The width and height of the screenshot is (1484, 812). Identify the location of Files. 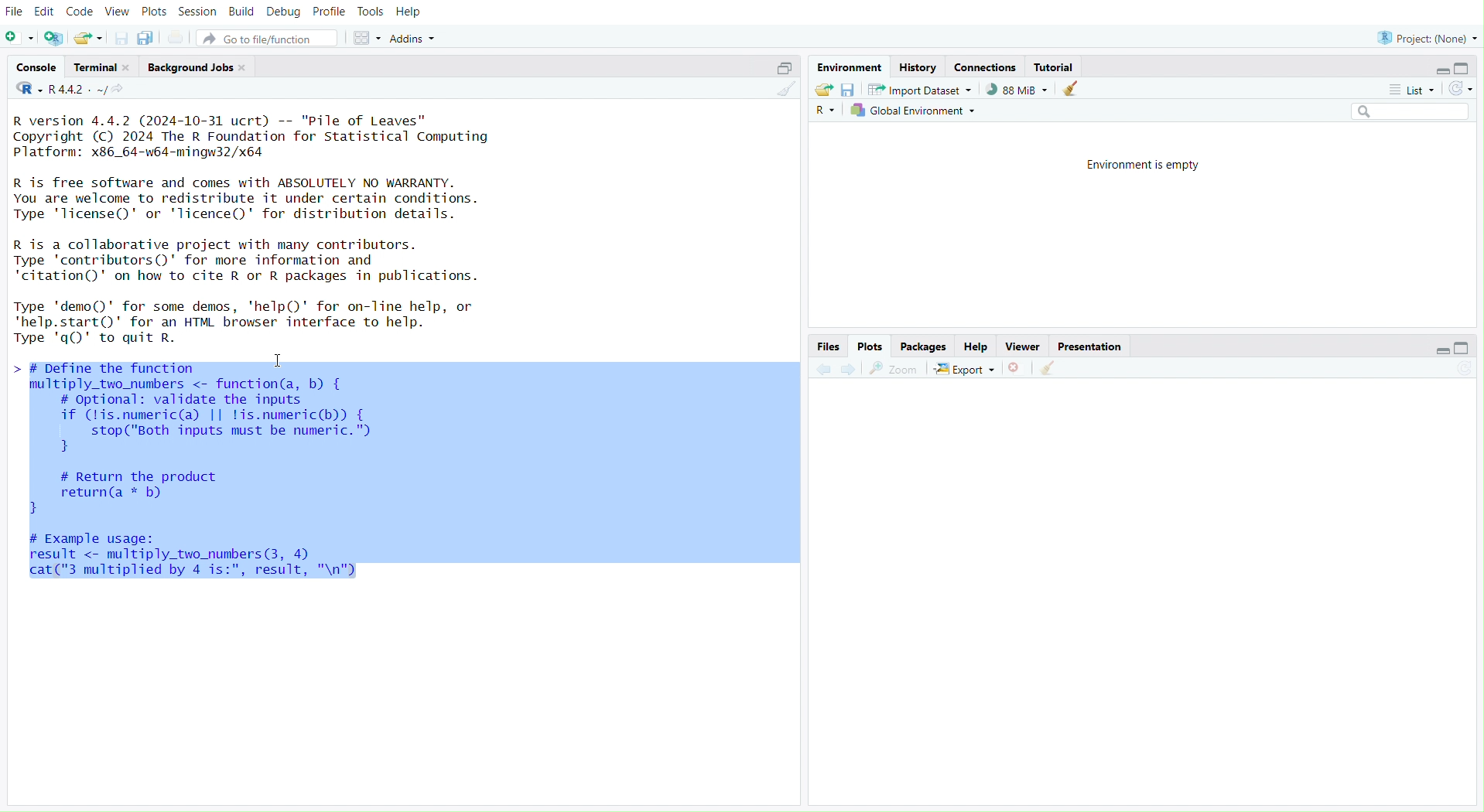
(829, 346).